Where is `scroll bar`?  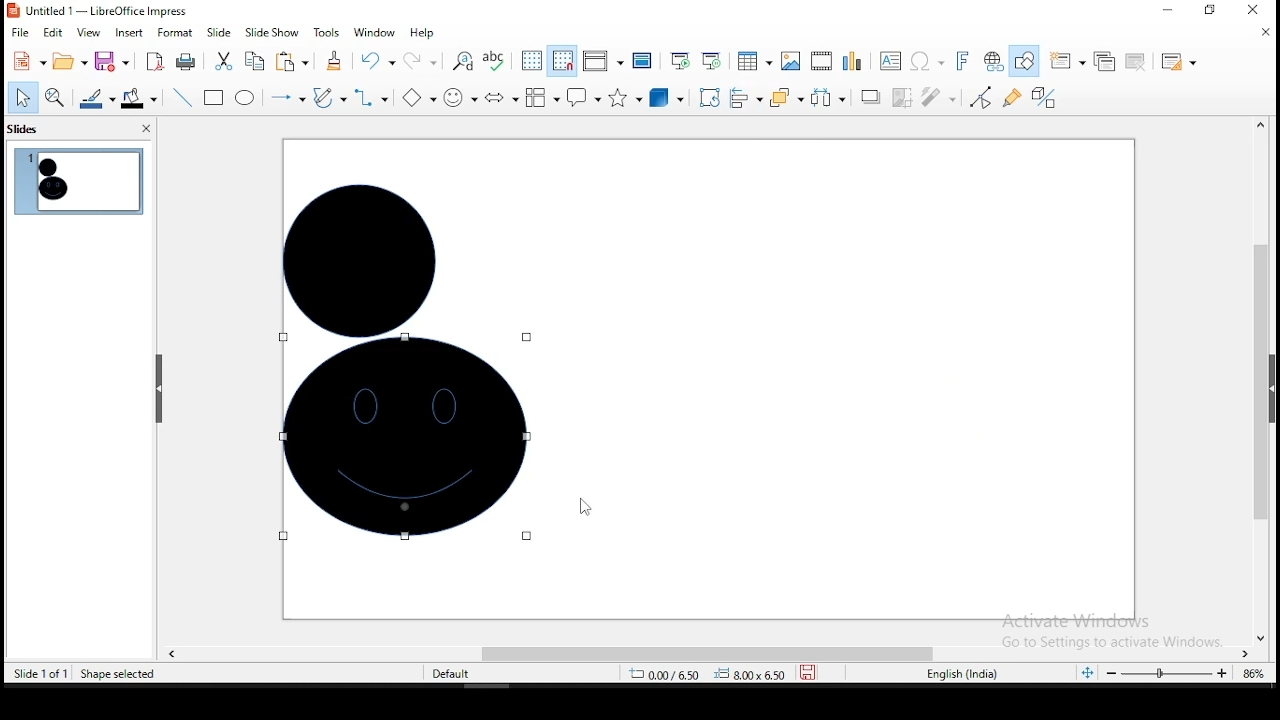
scroll bar is located at coordinates (1260, 379).